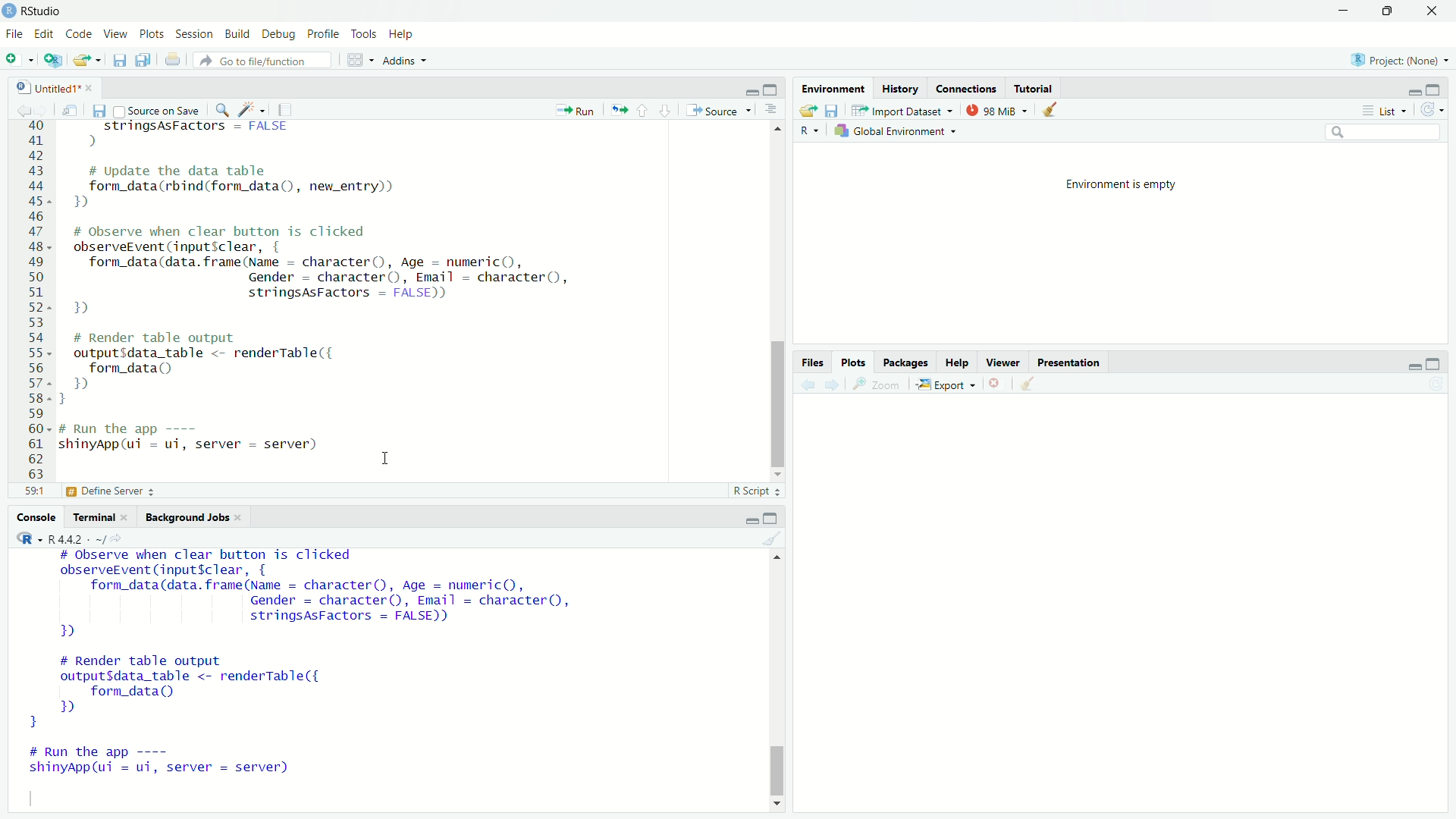  Describe the element at coordinates (899, 87) in the screenshot. I see `history` at that location.